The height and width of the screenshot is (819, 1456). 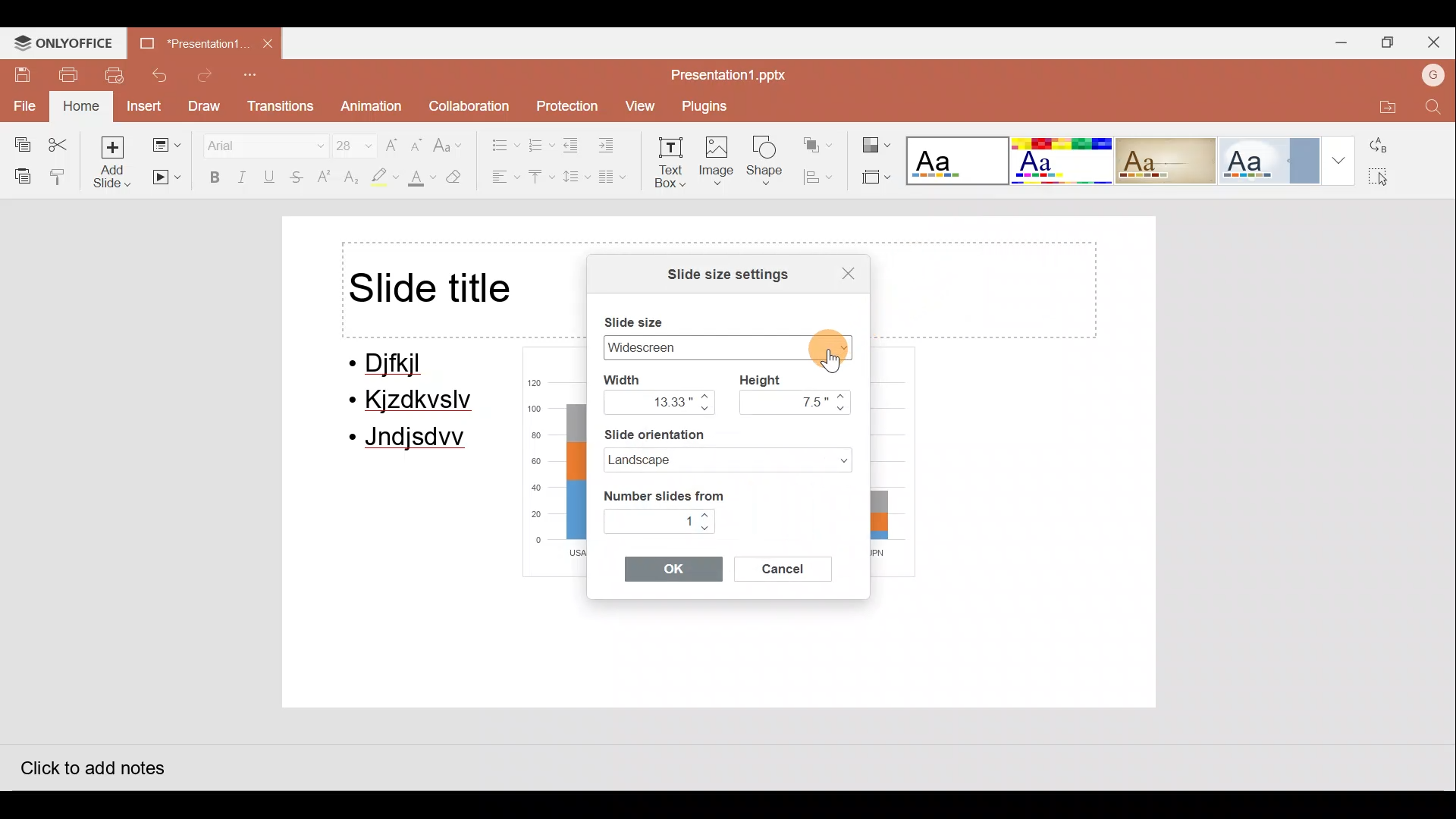 What do you see at coordinates (79, 107) in the screenshot?
I see `Home` at bounding box center [79, 107].